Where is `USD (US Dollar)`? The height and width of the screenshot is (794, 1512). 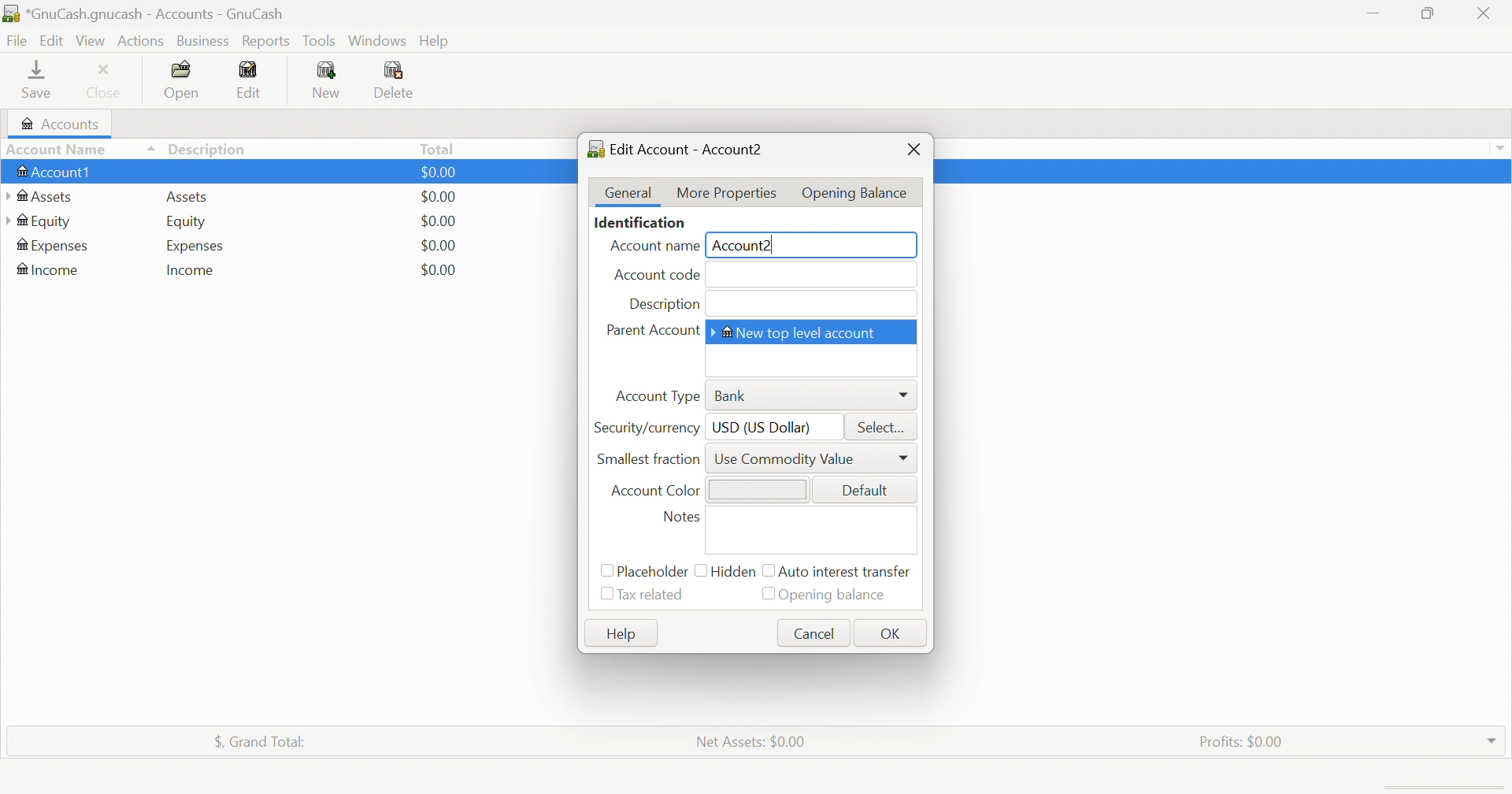 USD (US Dollar) is located at coordinates (764, 429).